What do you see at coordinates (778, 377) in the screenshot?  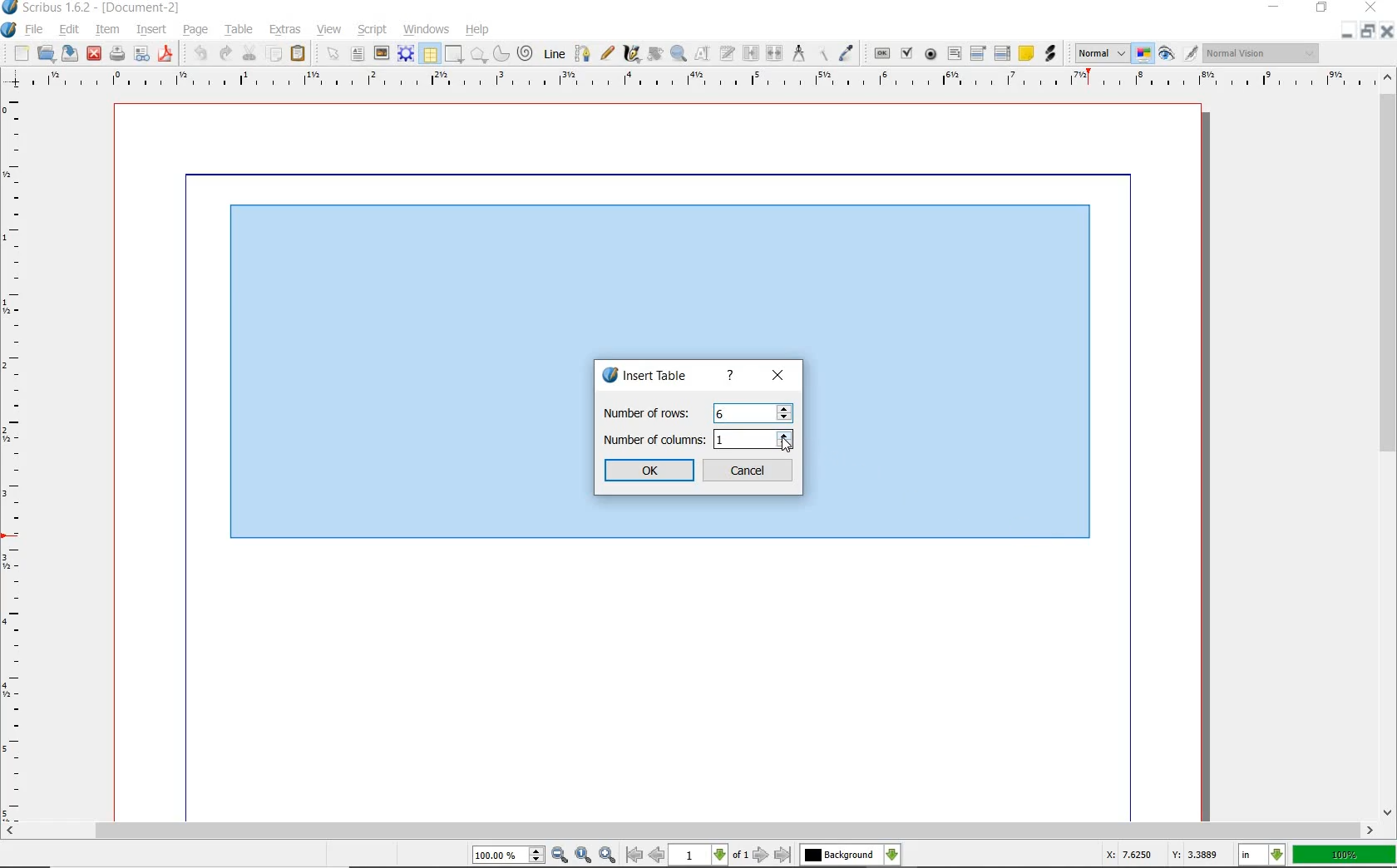 I see `close` at bounding box center [778, 377].